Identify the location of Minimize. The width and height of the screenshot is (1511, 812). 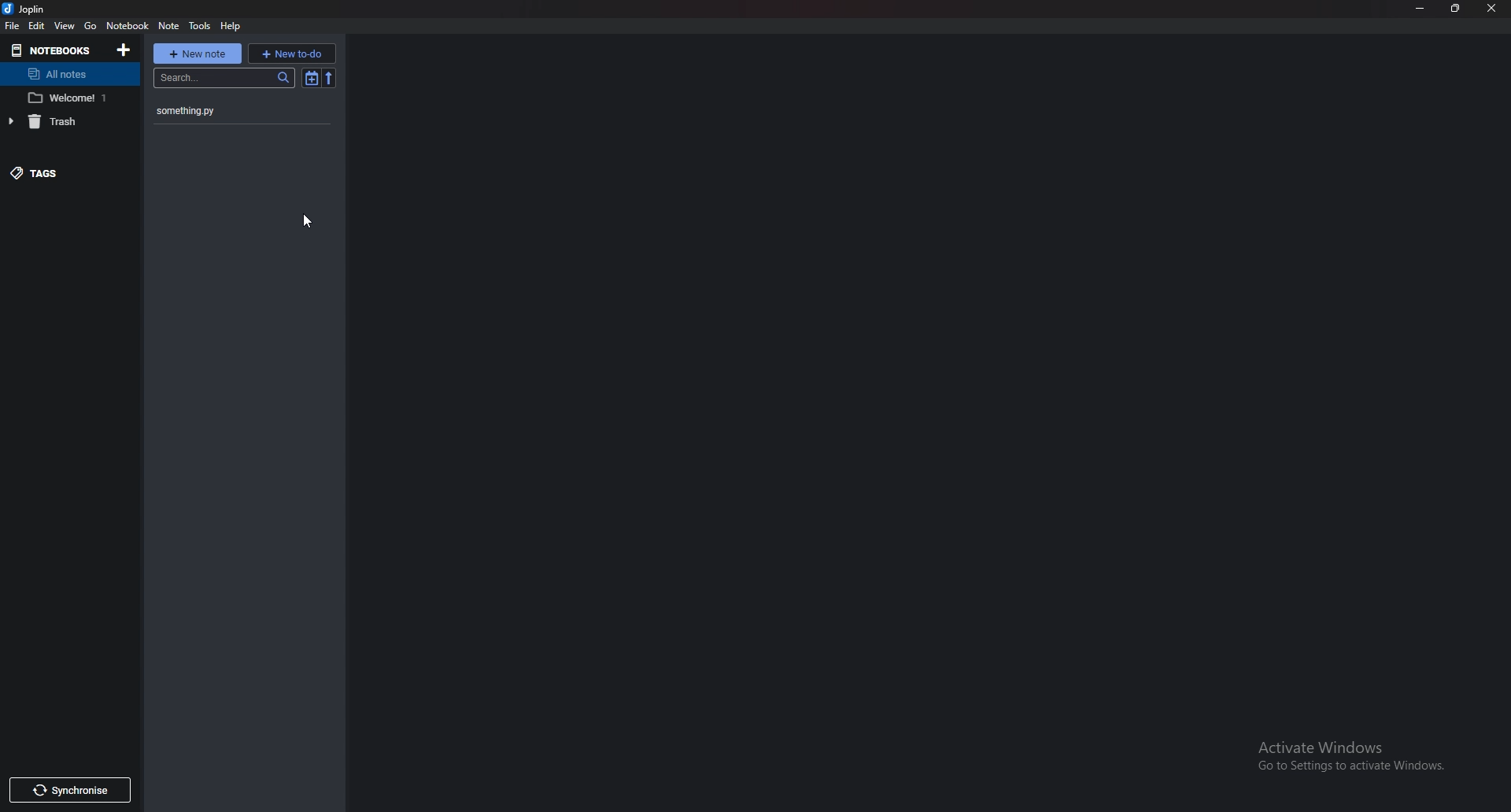
(1423, 8).